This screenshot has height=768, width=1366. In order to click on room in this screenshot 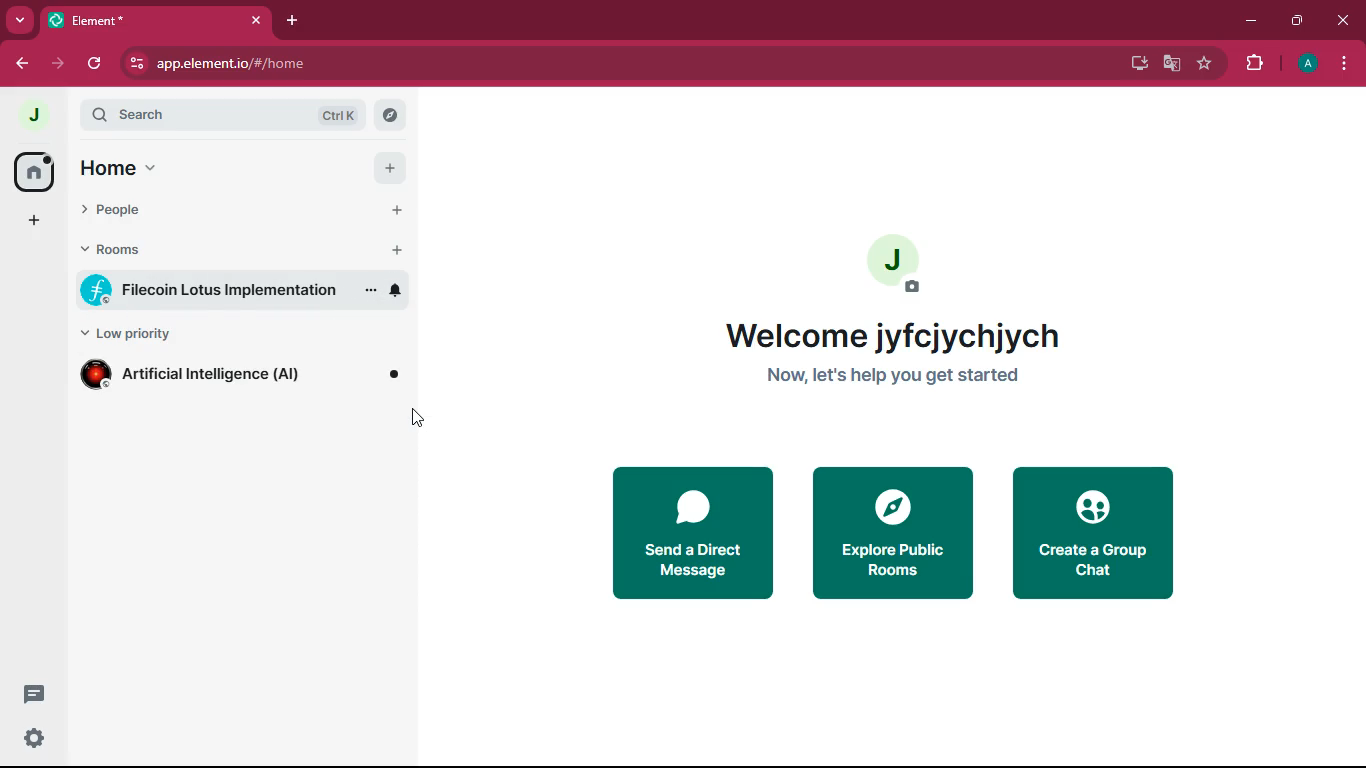, I will do `click(209, 290)`.